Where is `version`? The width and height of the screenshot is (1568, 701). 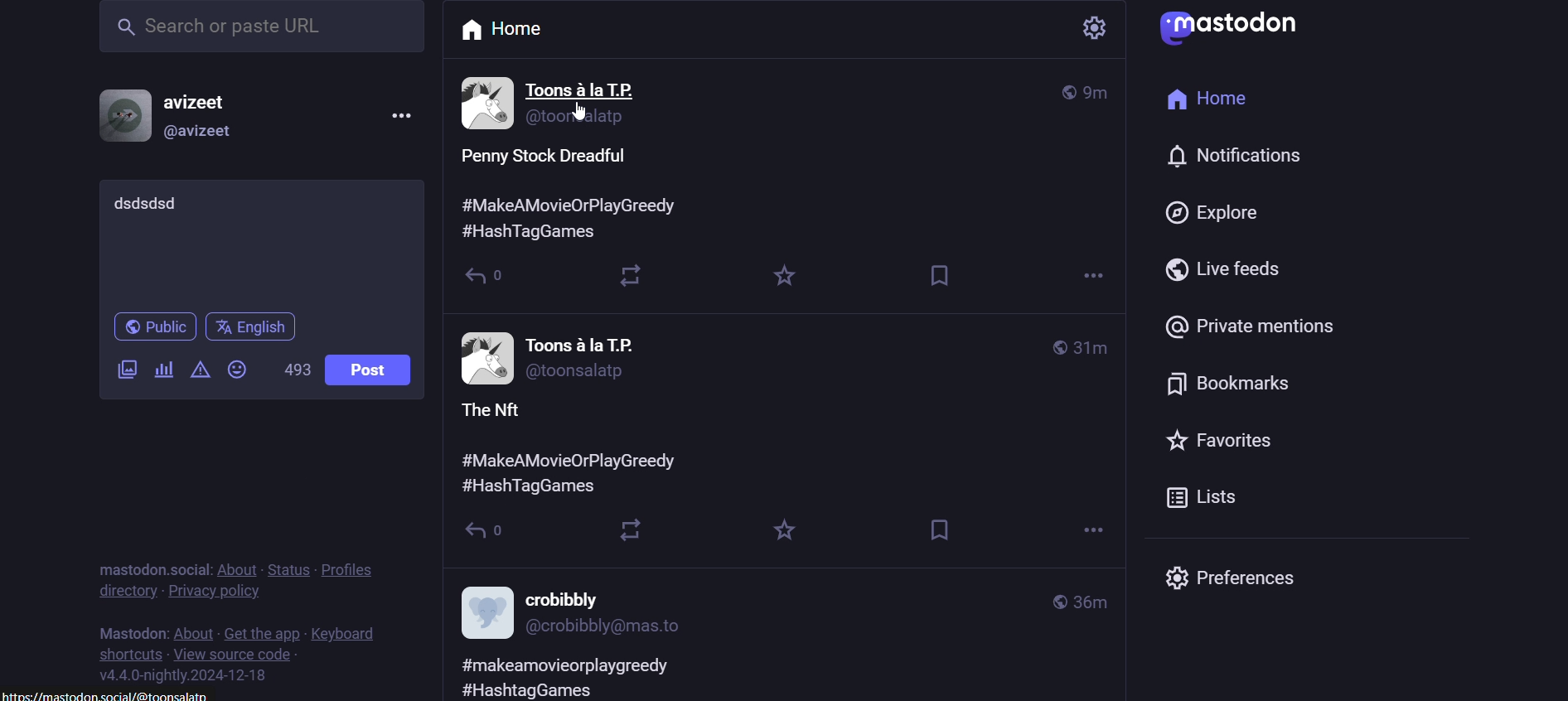
version is located at coordinates (191, 676).